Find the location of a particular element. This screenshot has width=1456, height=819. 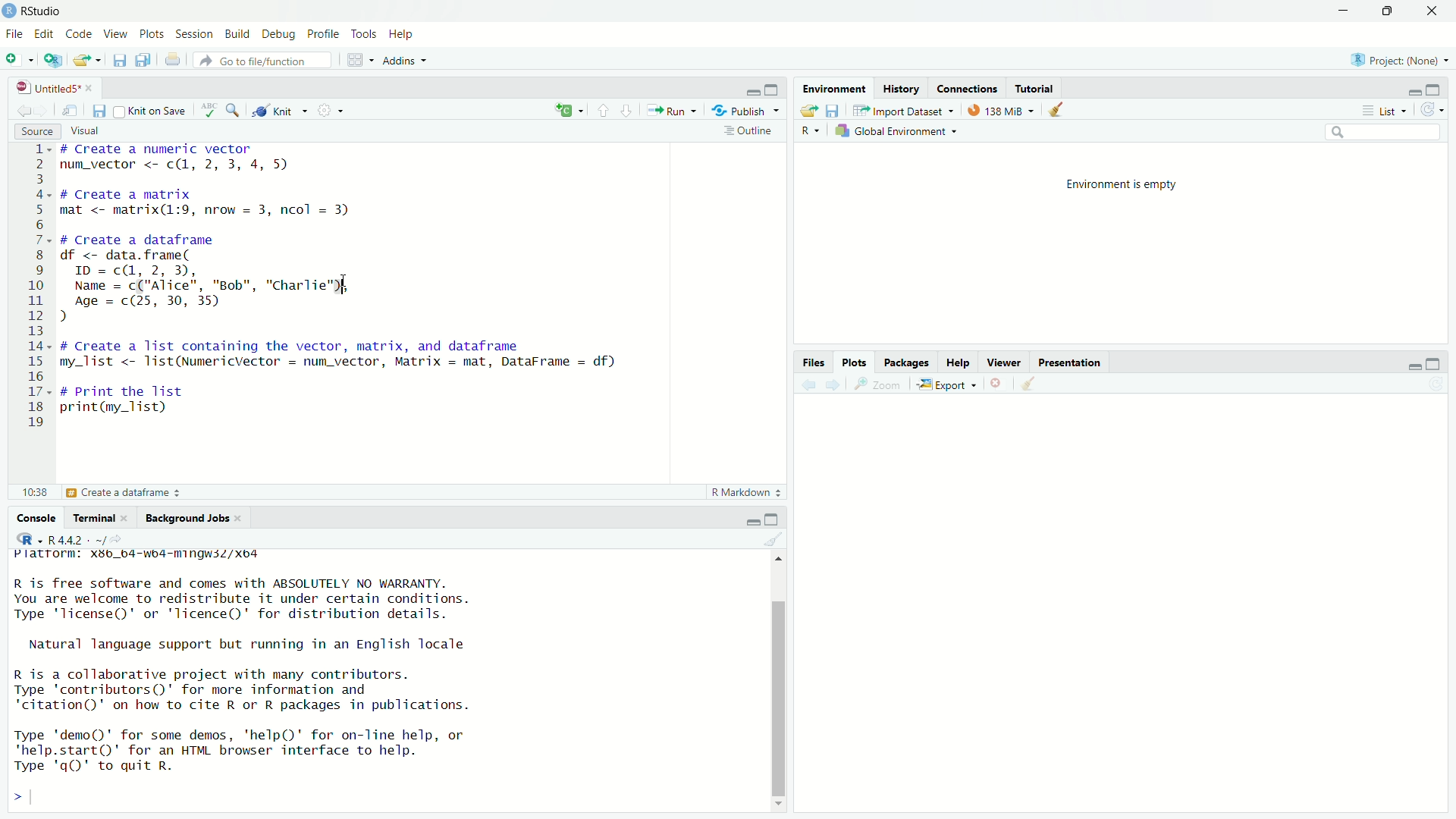

Tutorial is located at coordinates (1041, 87).